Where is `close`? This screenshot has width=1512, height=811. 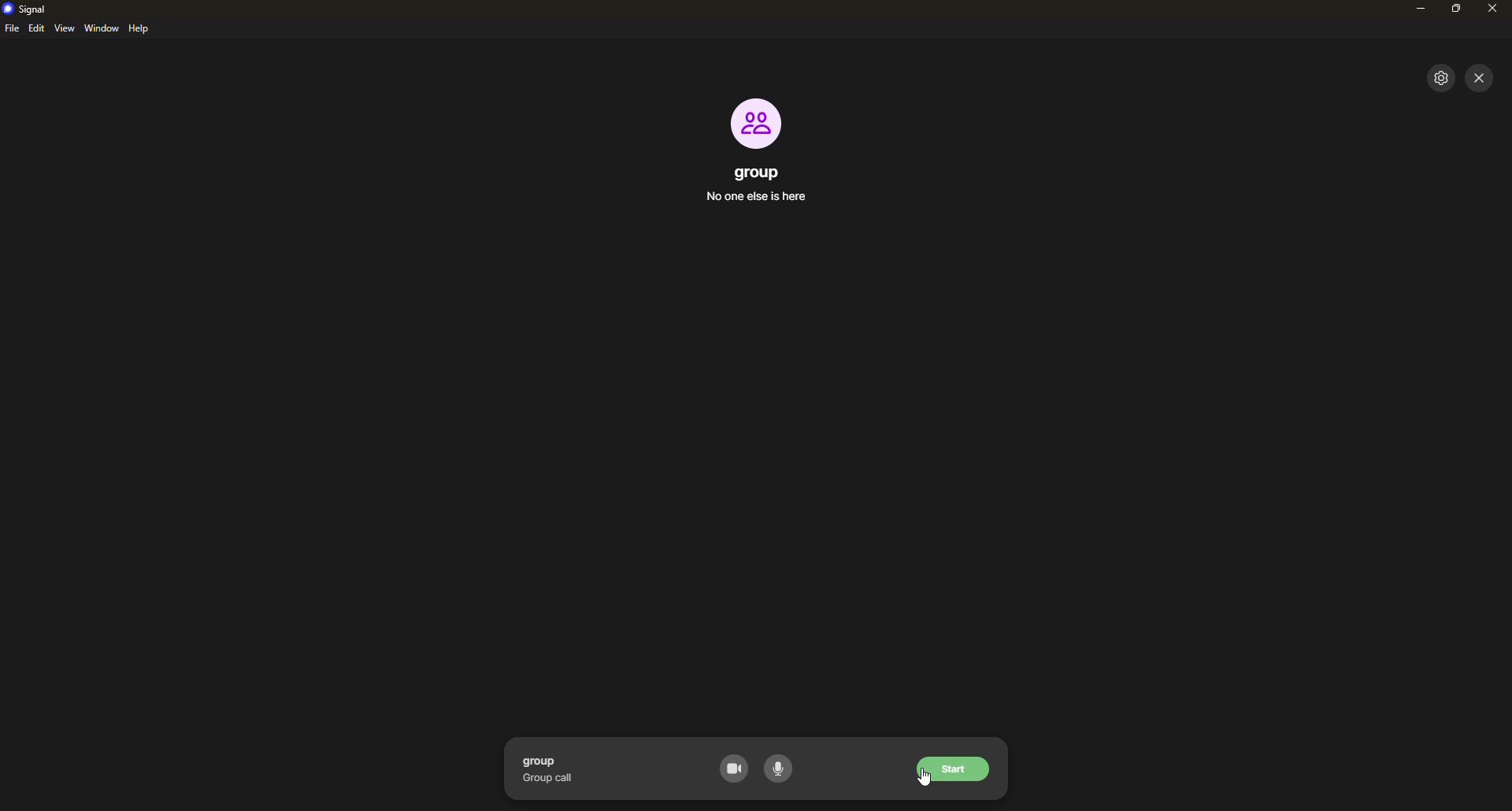
close is located at coordinates (1480, 77).